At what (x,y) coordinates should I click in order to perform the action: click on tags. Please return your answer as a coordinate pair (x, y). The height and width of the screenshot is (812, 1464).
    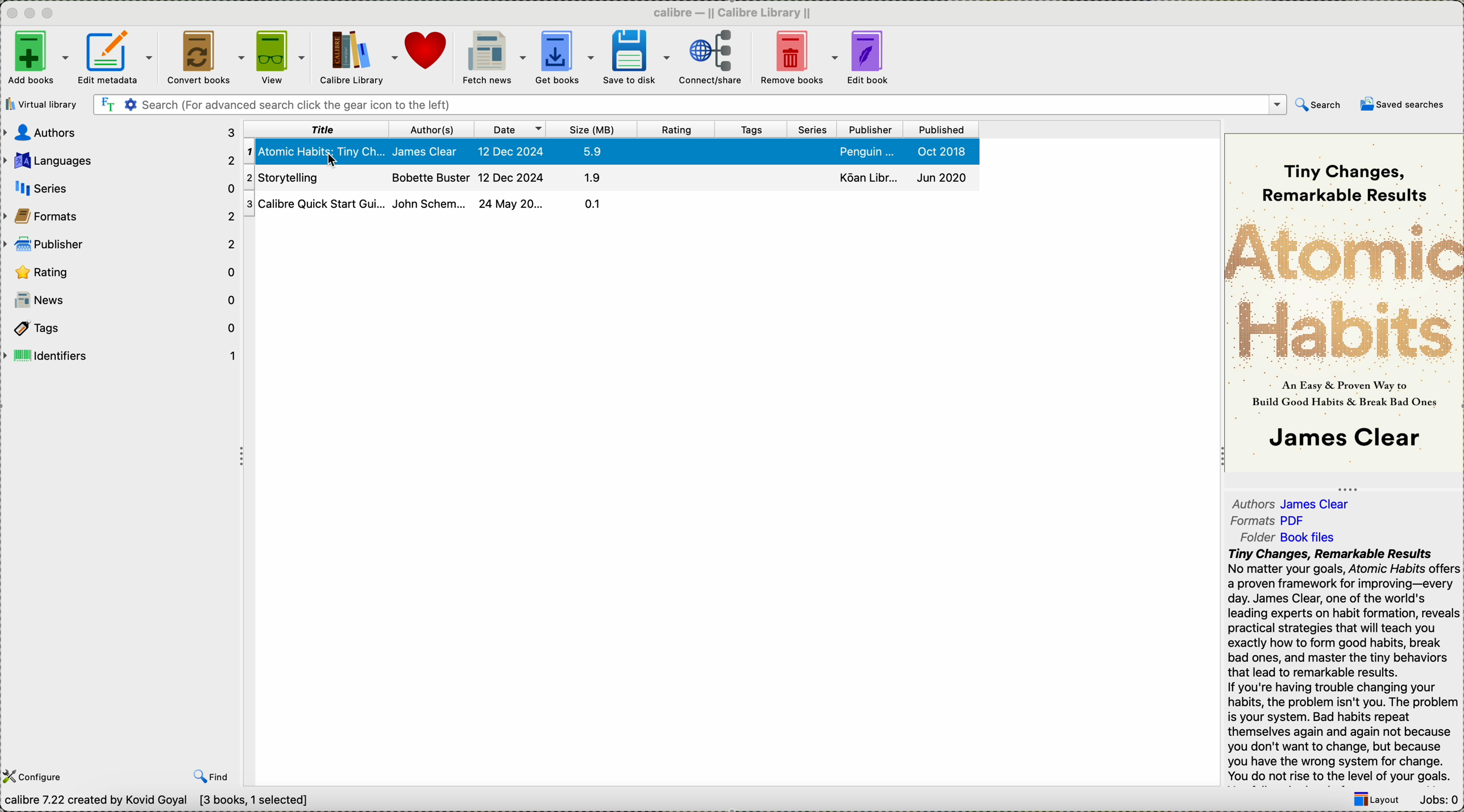
    Looking at the image, I should click on (754, 130).